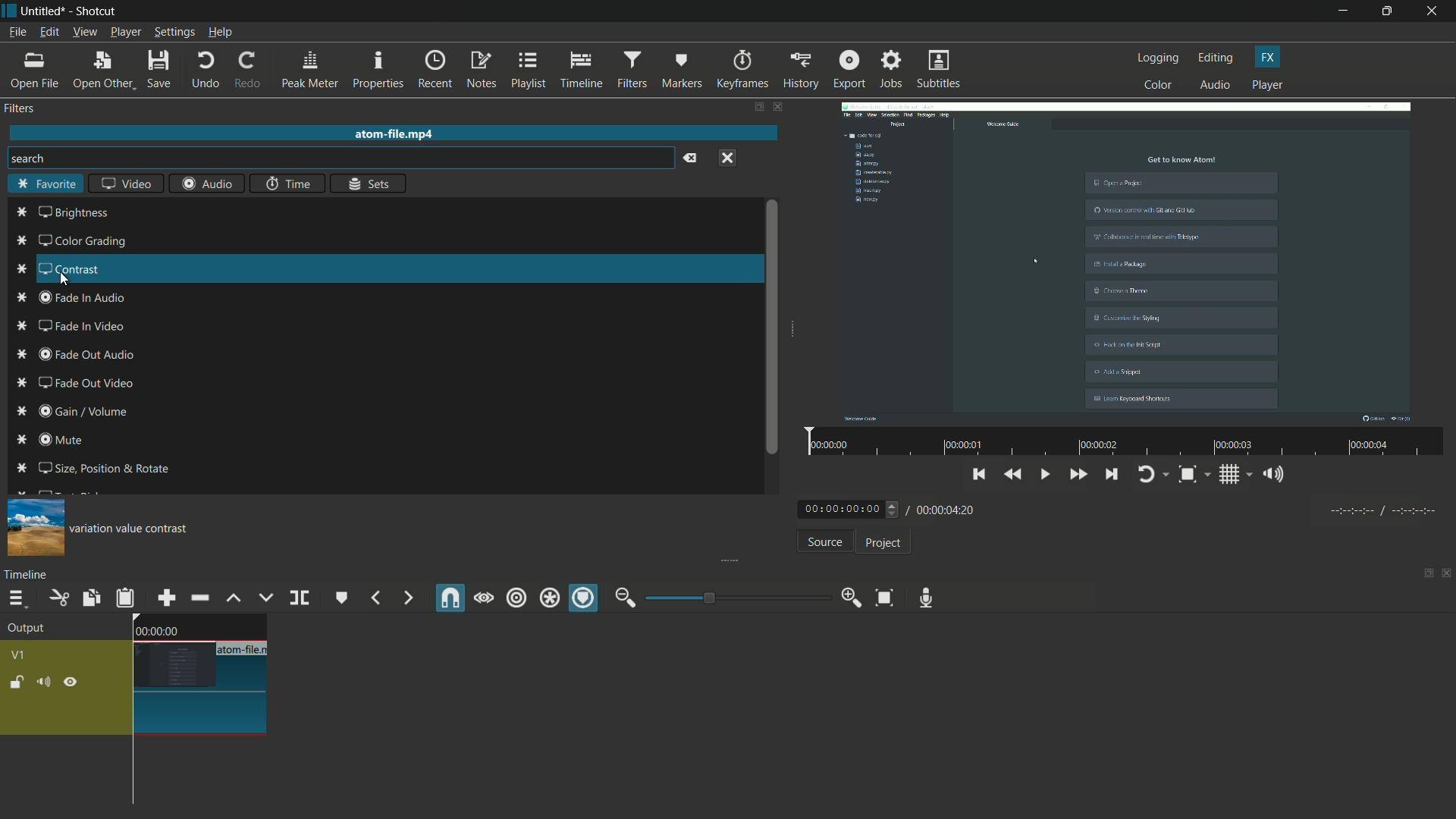  I want to click on show the volume control, so click(1278, 475).